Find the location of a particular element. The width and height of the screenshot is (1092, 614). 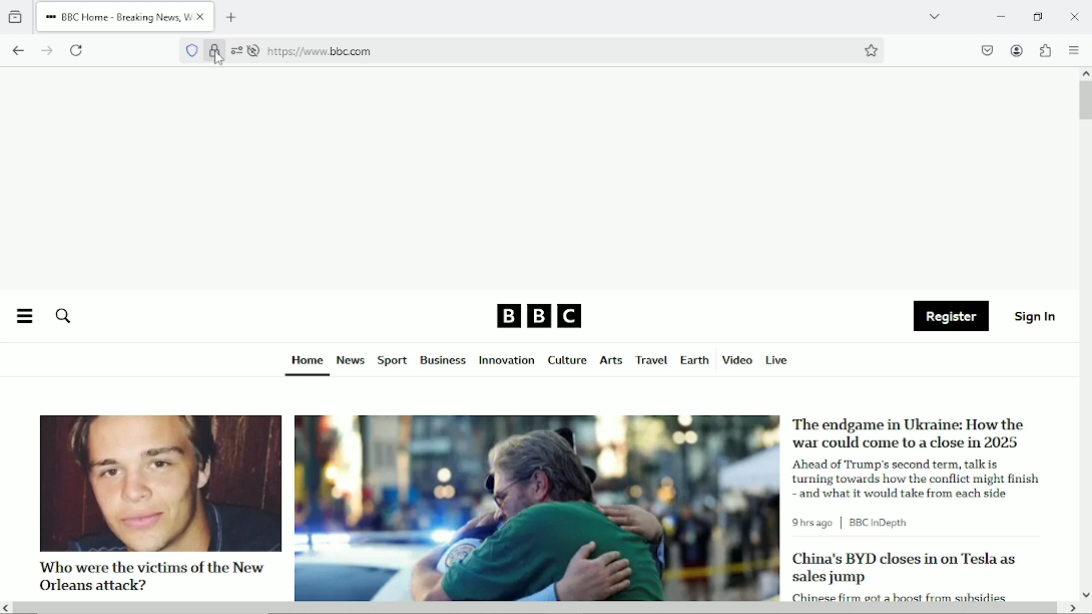

Home is located at coordinates (306, 360).